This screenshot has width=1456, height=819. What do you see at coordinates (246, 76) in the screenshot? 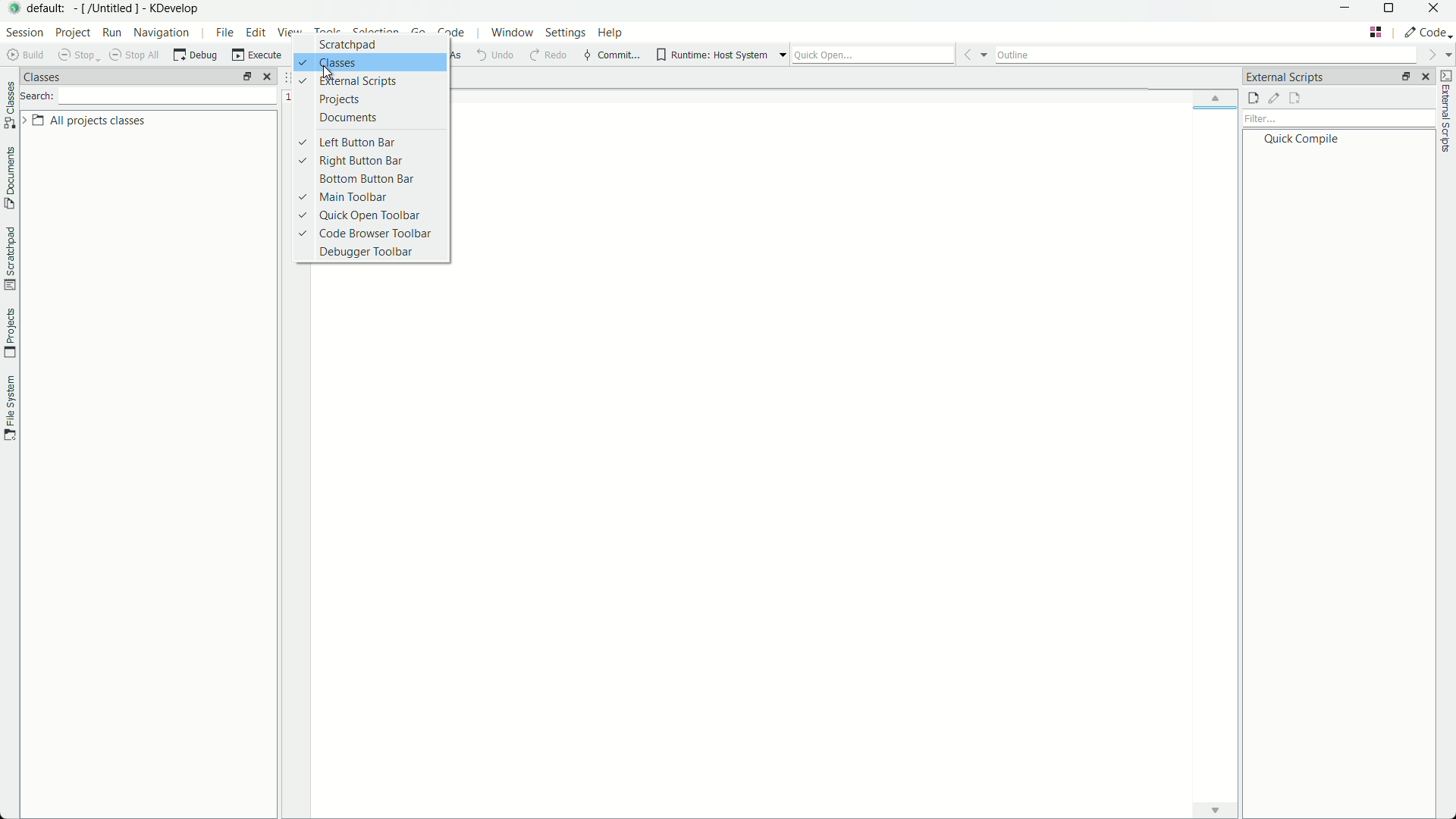
I see `arrange tab` at bounding box center [246, 76].